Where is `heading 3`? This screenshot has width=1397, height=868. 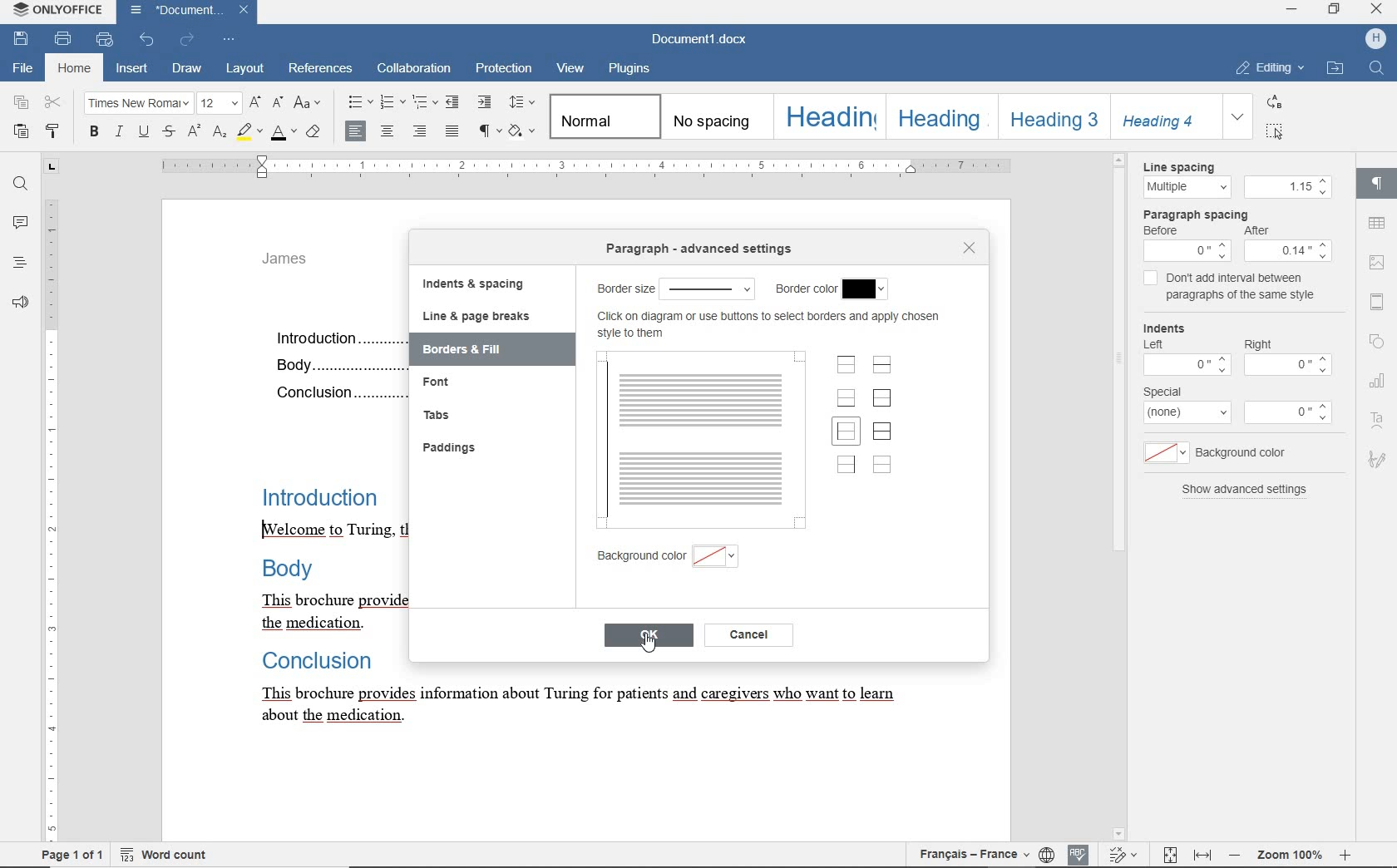
heading 3 is located at coordinates (1049, 117).